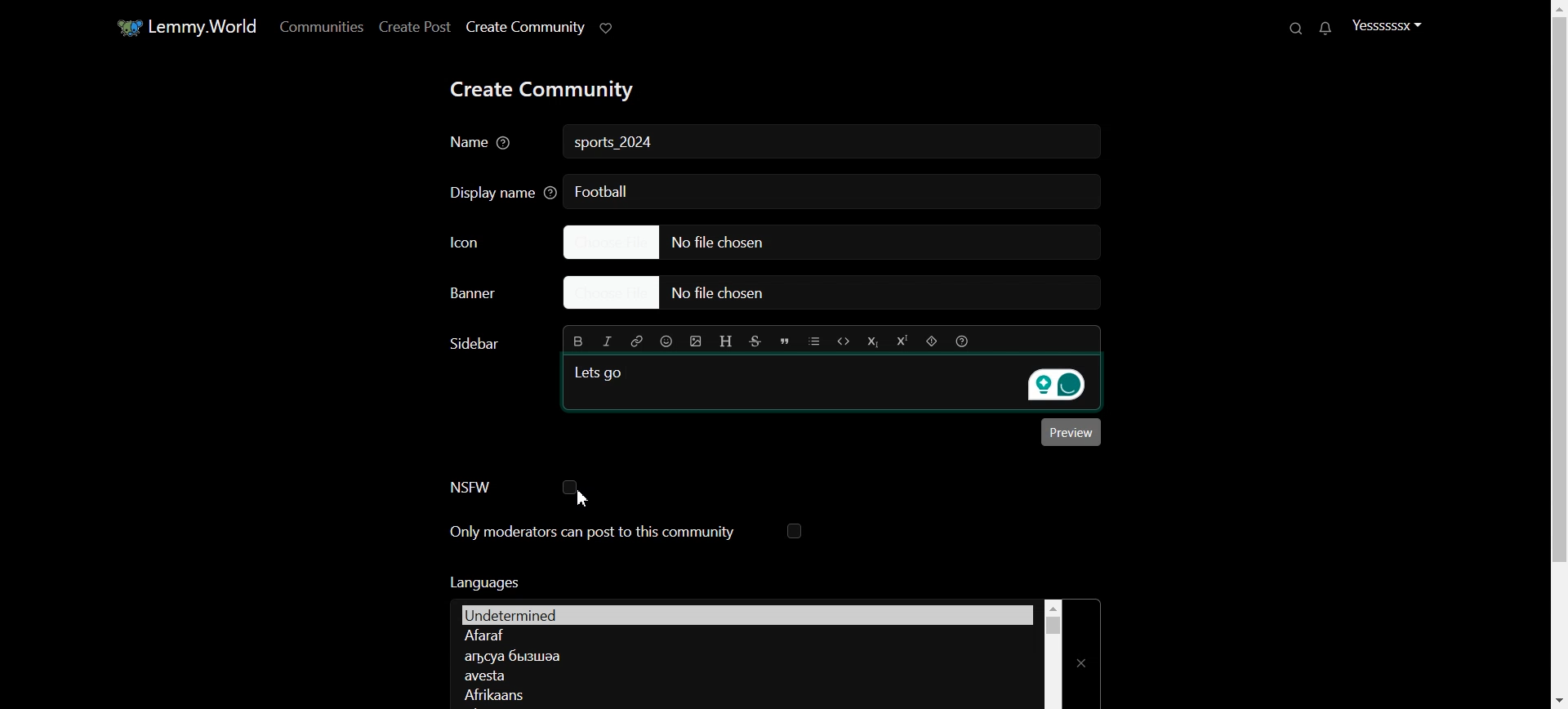 The height and width of the screenshot is (709, 1568). I want to click on Vertical Scroll bar, so click(1555, 354).